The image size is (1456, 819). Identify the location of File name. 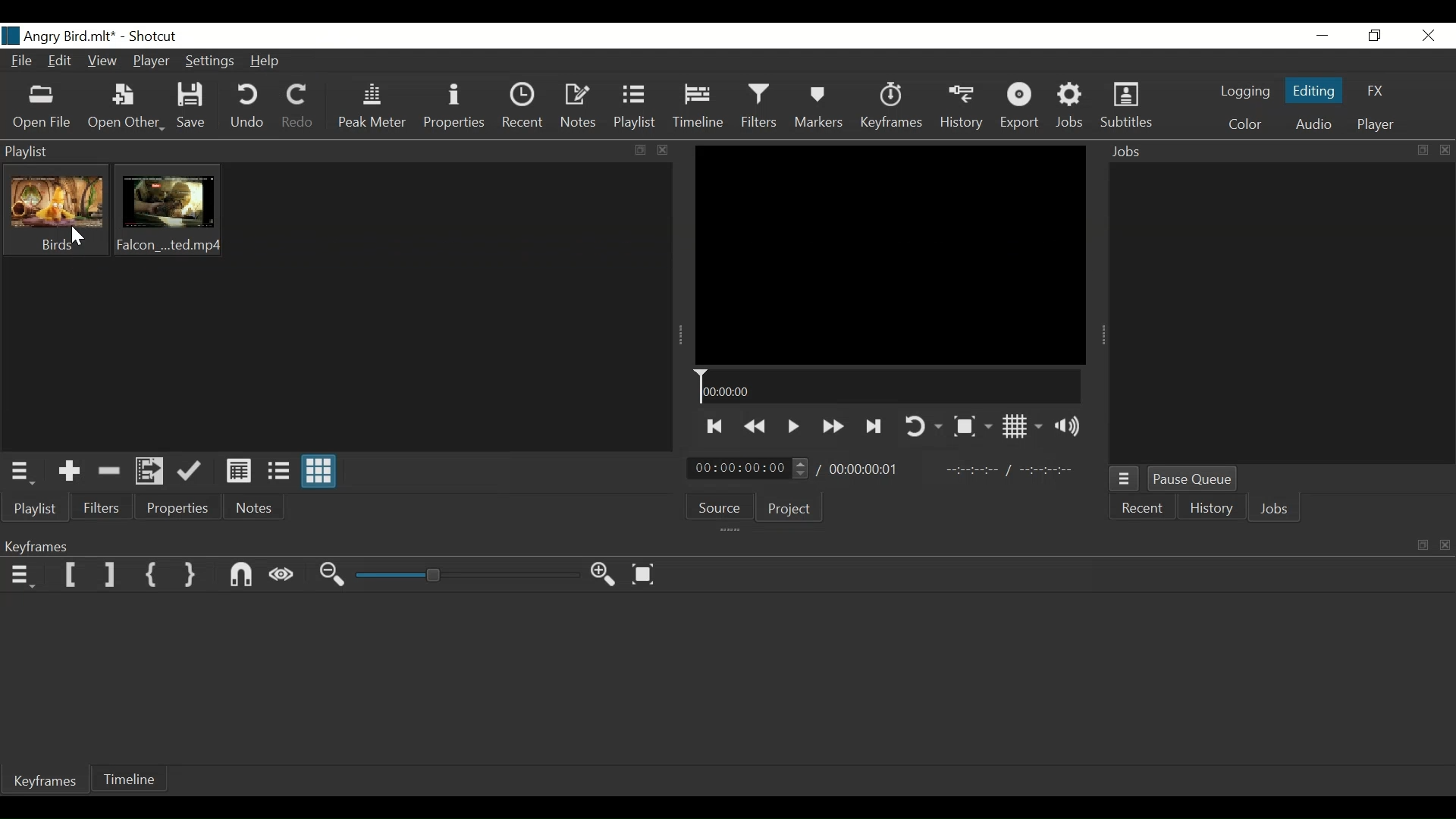
(58, 36).